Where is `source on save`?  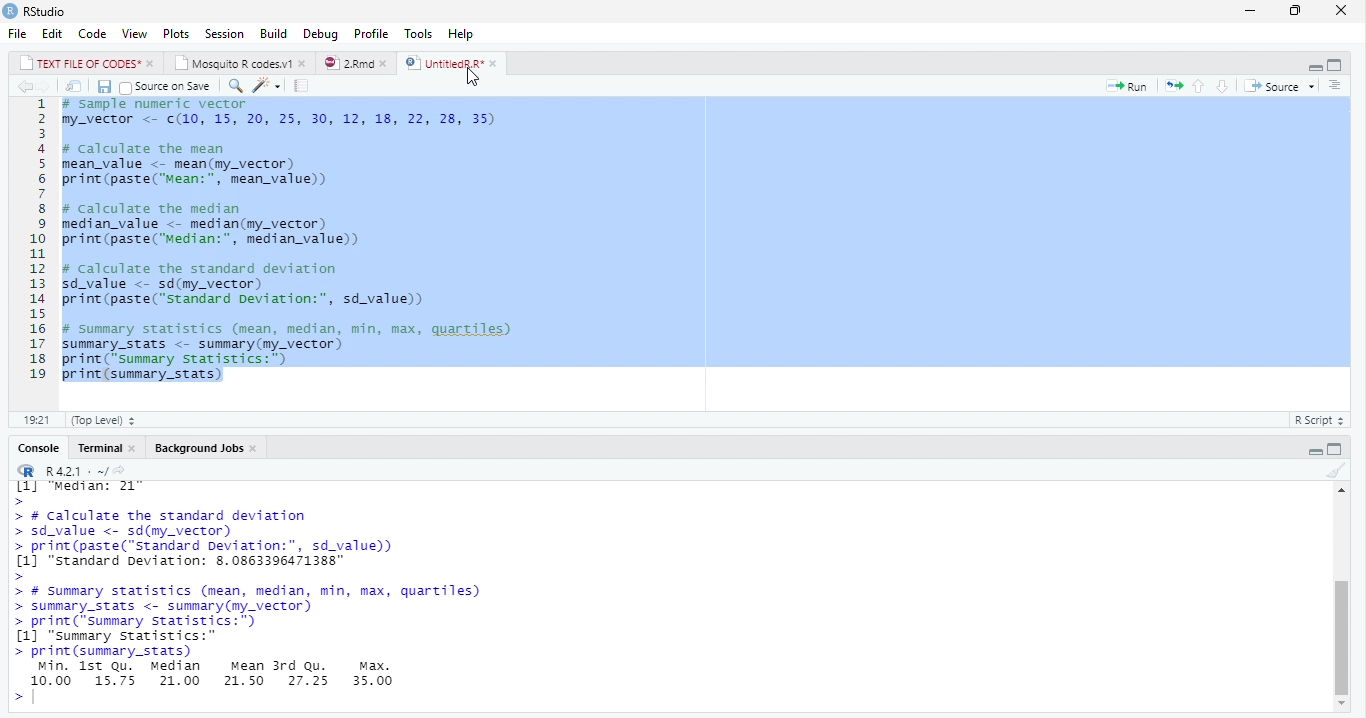 source on save is located at coordinates (168, 87).